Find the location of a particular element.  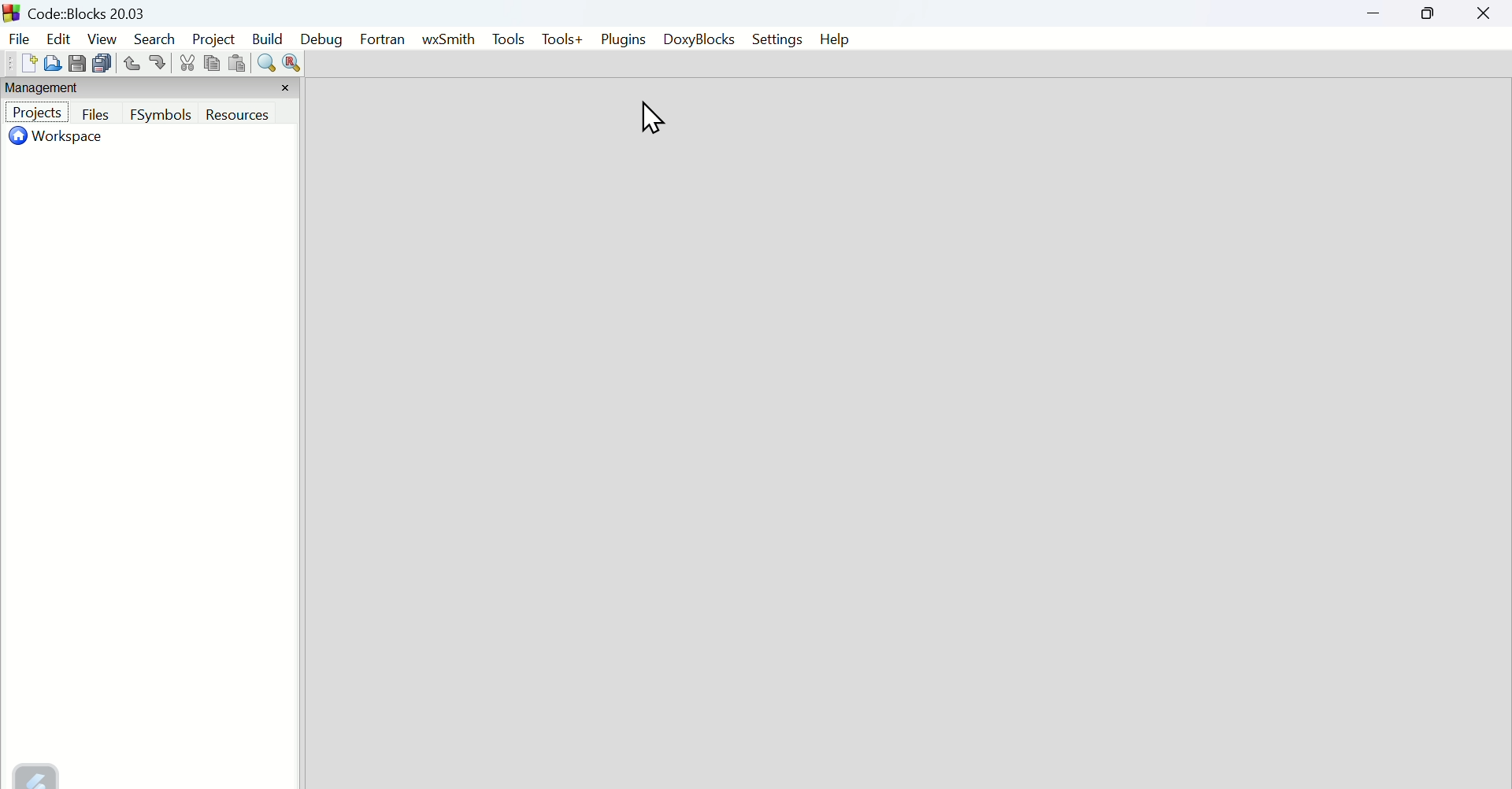

Find is located at coordinates (265, 62).